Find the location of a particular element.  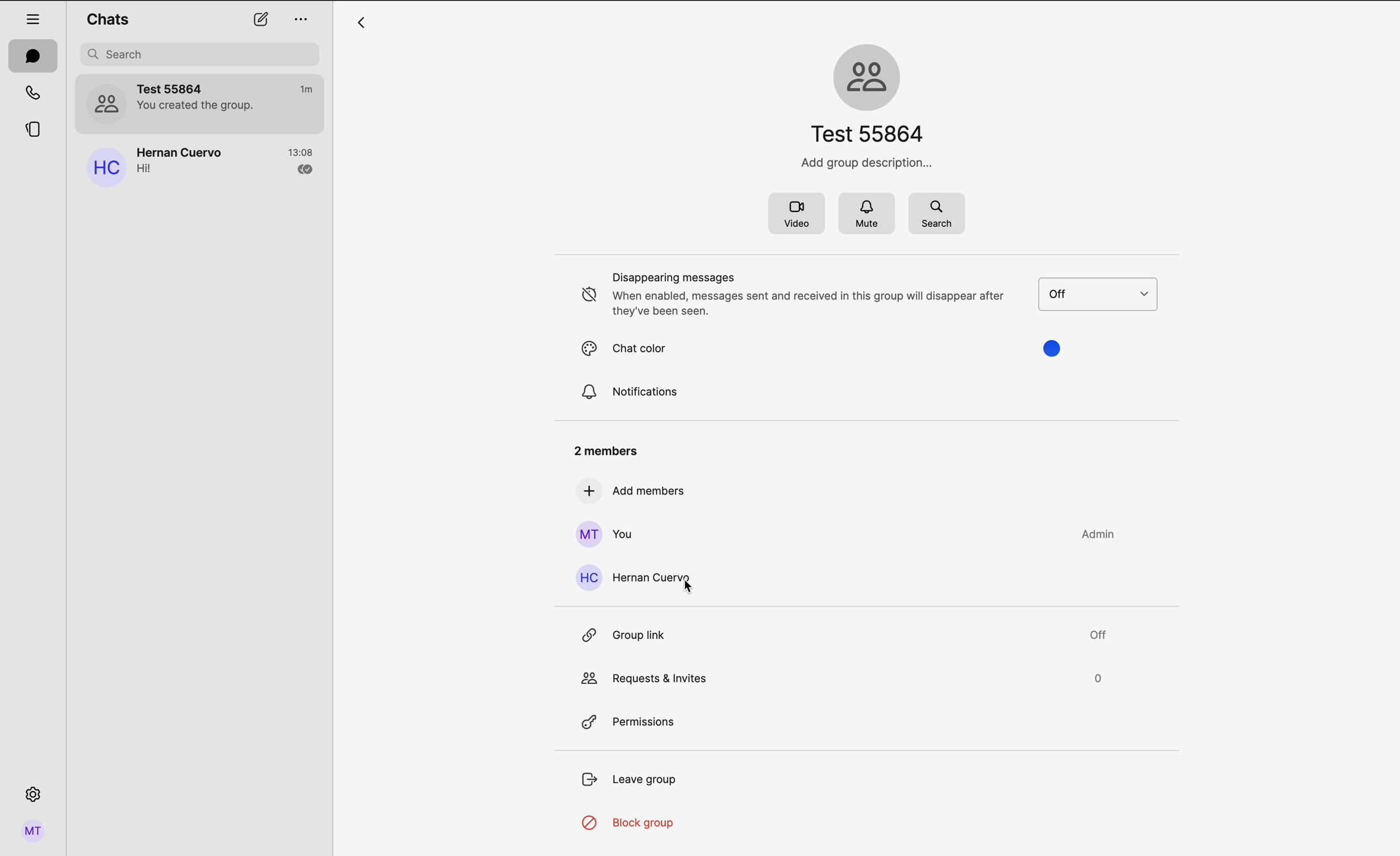

calls is located at coordinates (30, 94).